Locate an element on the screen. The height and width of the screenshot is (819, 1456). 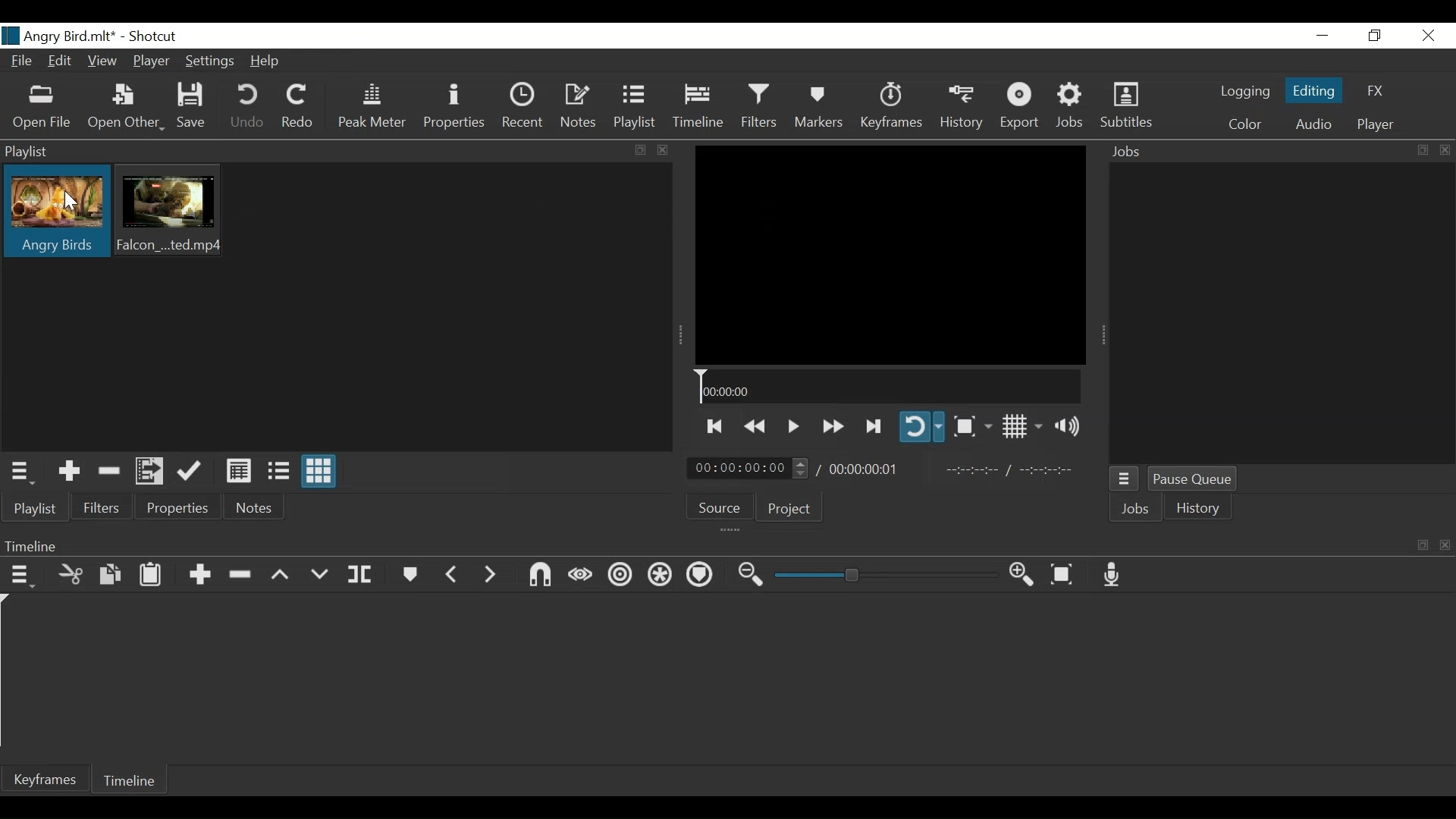
Properties is located at coordinates (456, 109).